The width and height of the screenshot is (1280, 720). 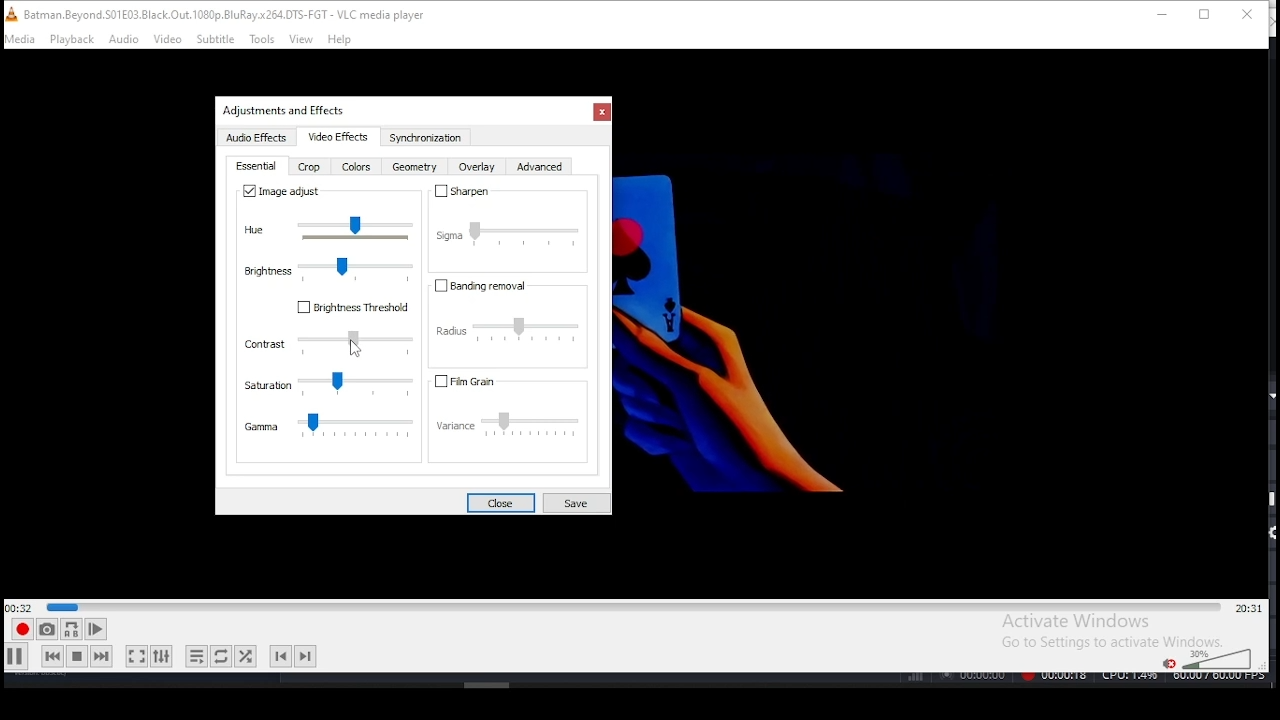 What do you see at coordinates (259, 139) in the screenshot?
I see `audio effects` at bounding box center [259, 139].